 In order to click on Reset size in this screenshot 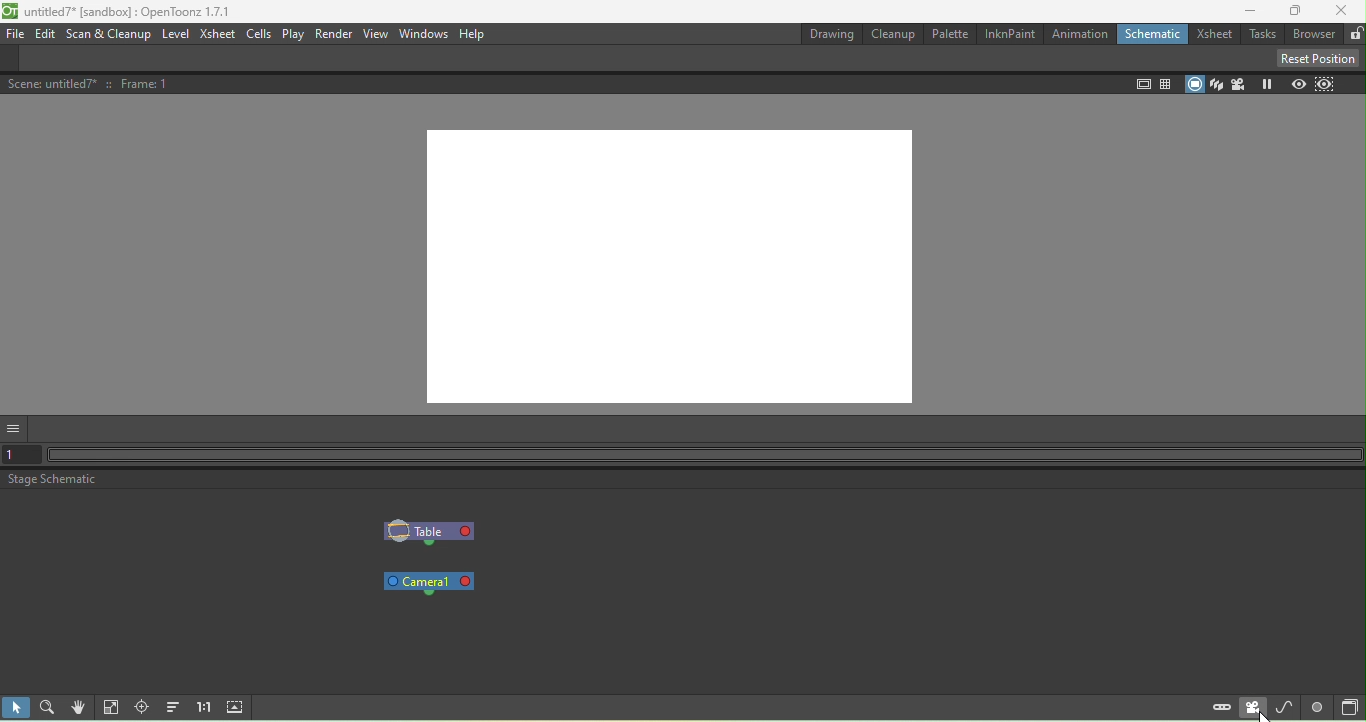, I will do `click(206, 708)`.